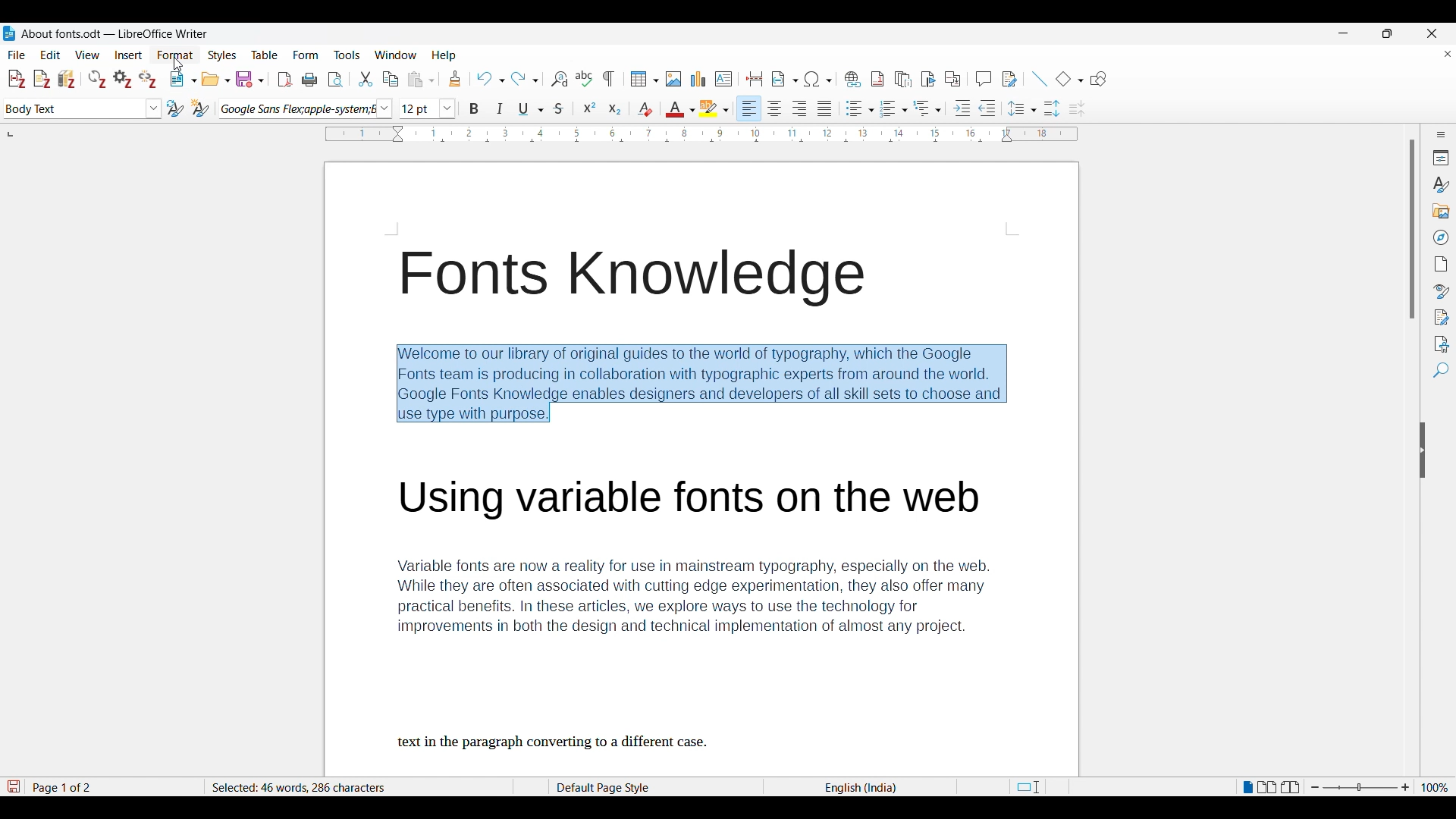  What do you see at coordinates (200, 108) in the screenshot?
I see `New style from selection` at bounding box center [200, 108].